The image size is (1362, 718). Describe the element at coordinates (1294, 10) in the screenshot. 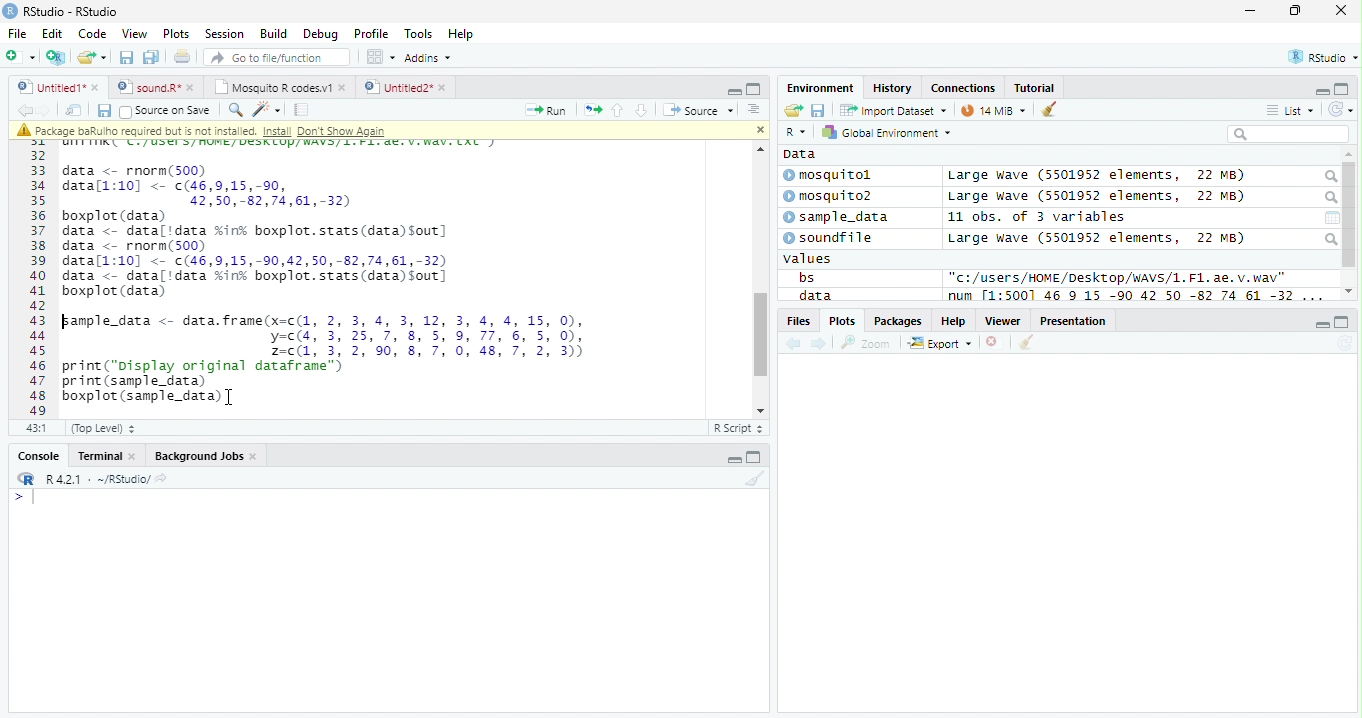

I see `maximize` at that location.